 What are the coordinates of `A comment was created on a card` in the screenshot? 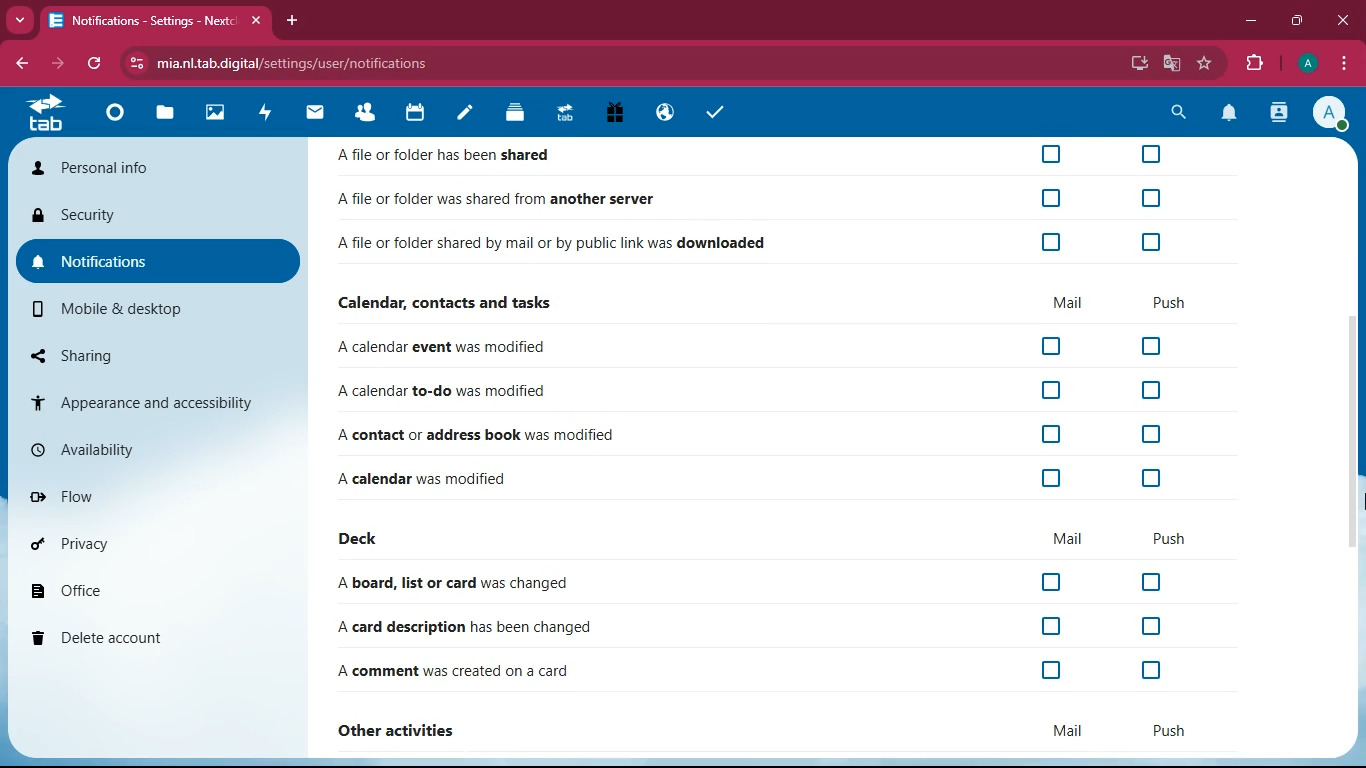 It's located at (460, 670).